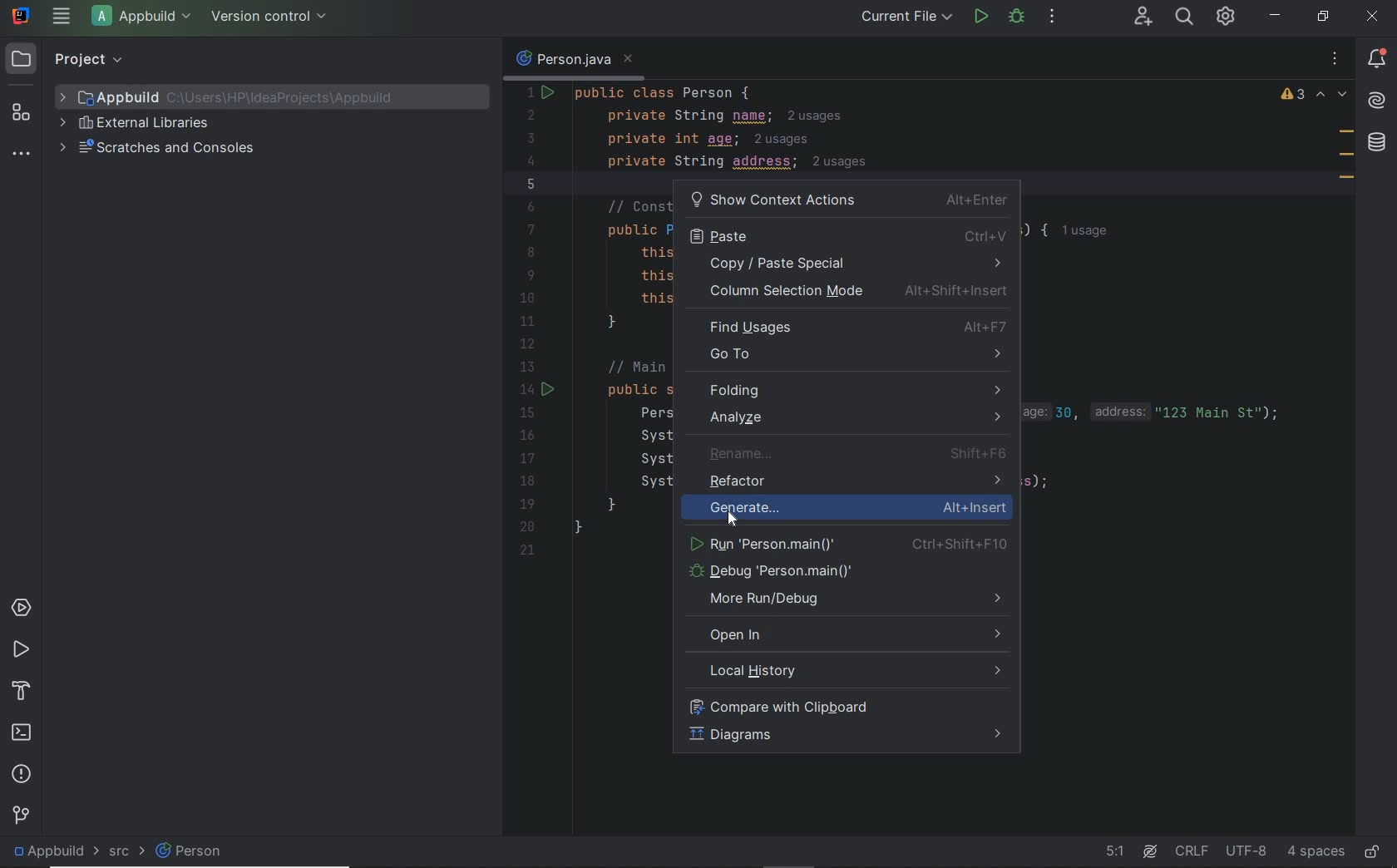 The image size is (1397, 868). What do you see at coordinates (20, 772) in the screenshot?
I see `problems` at bounding box center [20, 772].